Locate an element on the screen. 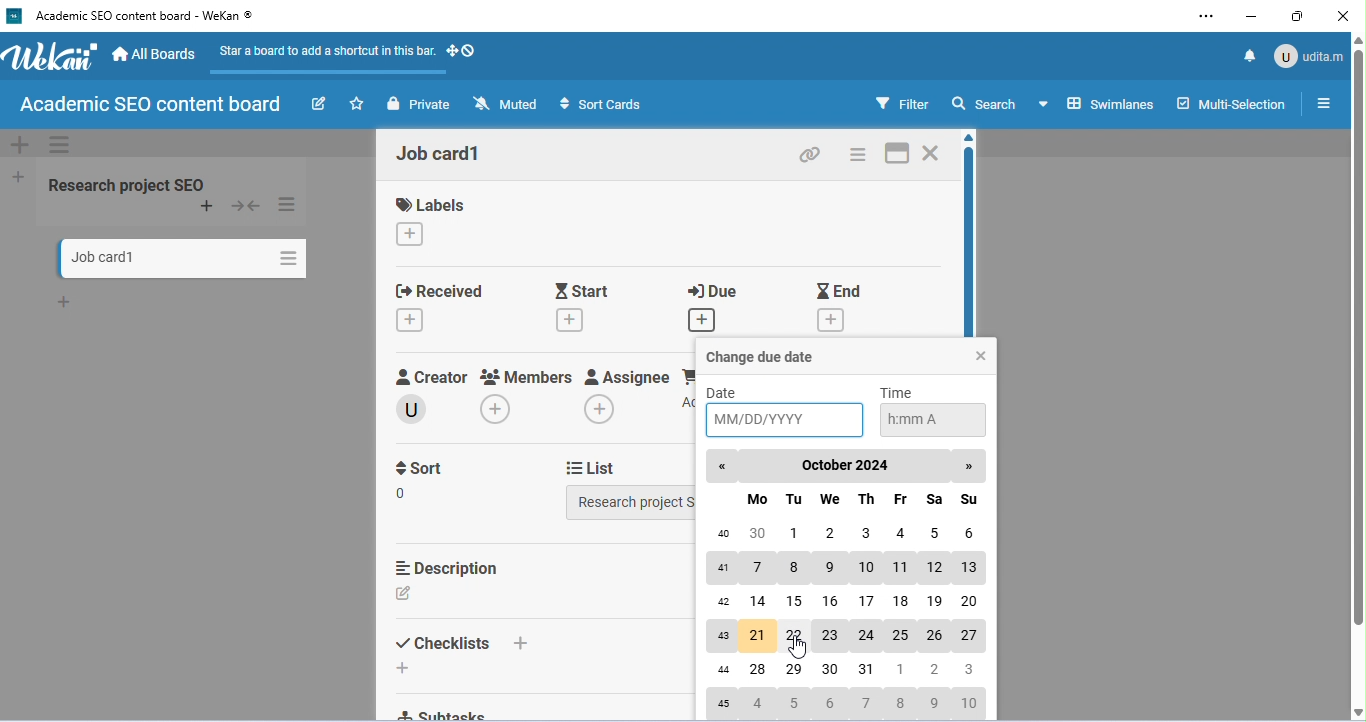  add end date is located at coordinates (840, 320).